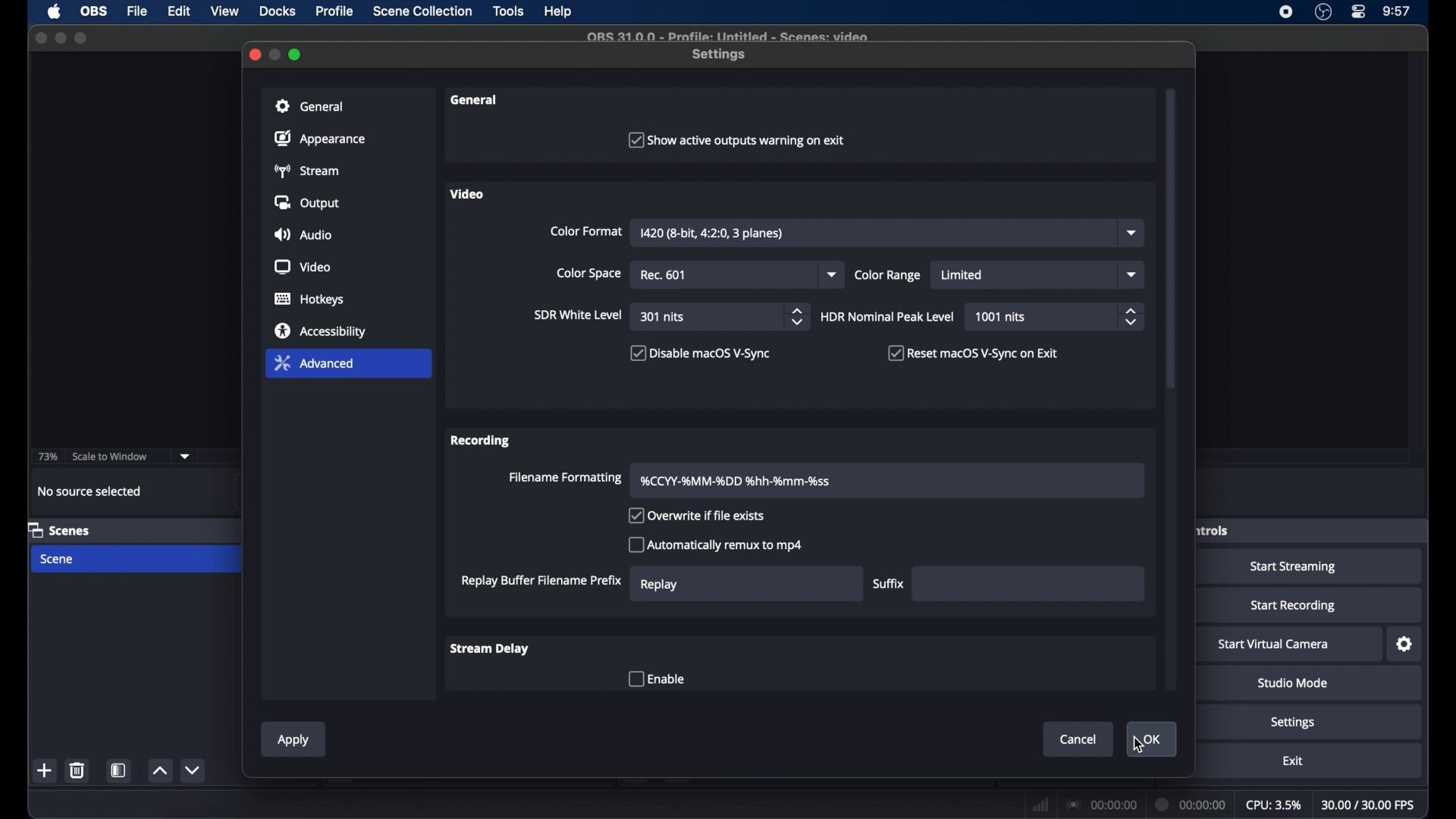  What do you see at coordinates (276, 55) in the screenshot?
I see `minimize` at bounding box center [276, 55].